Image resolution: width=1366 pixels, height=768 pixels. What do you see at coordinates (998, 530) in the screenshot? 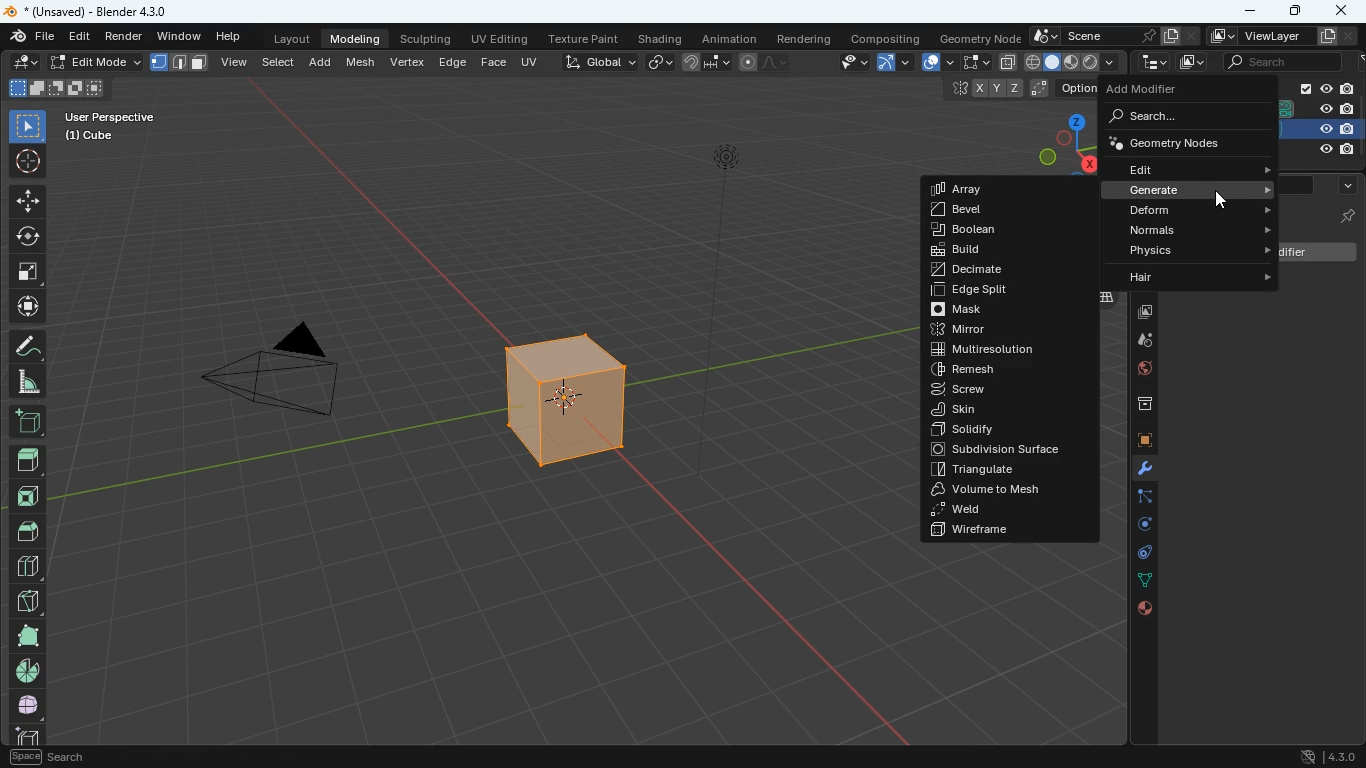
I see `wireframe` at bounding box center [998, 530].